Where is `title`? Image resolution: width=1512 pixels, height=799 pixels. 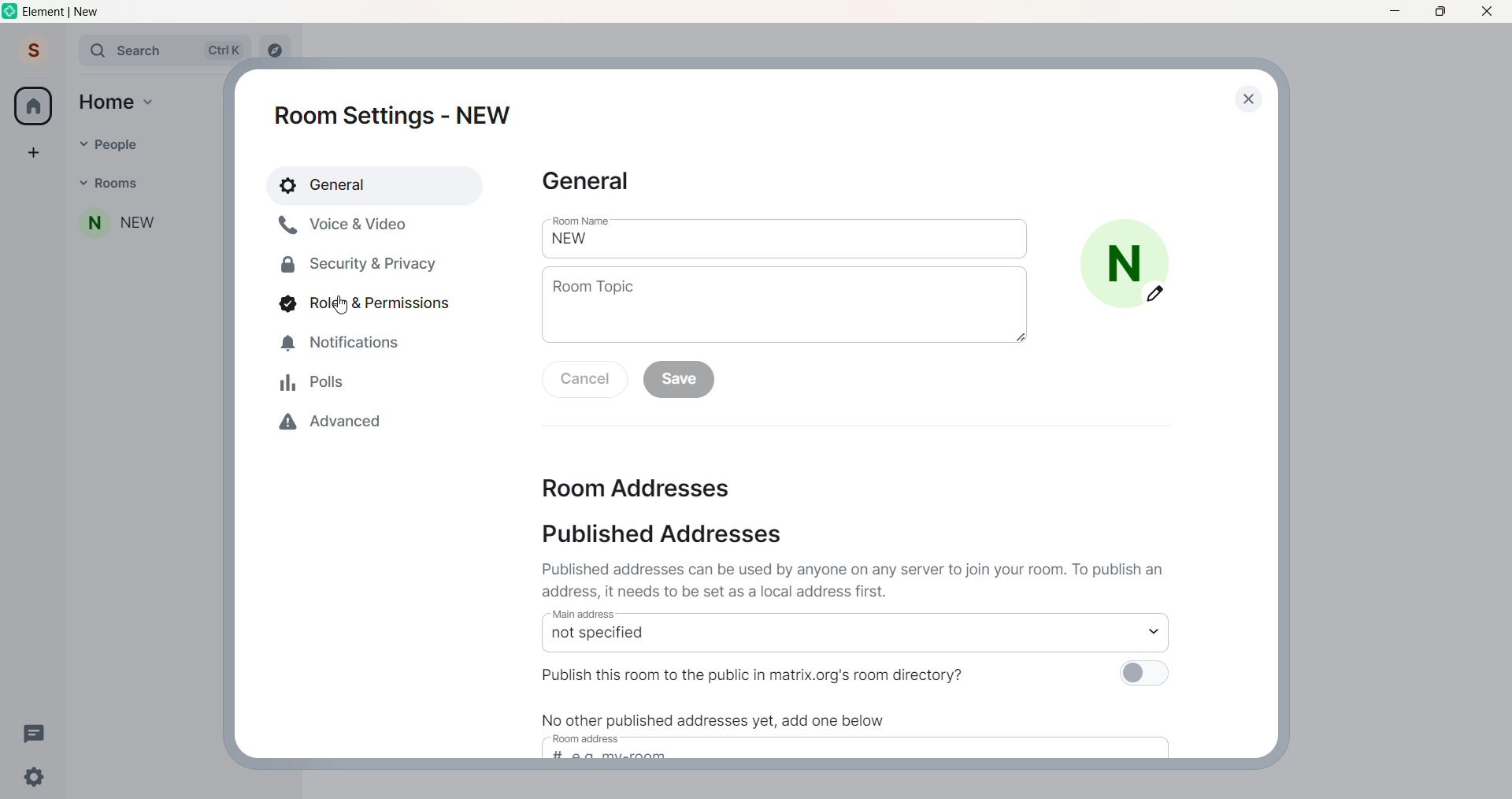
title is located at coordinates (66, 11).